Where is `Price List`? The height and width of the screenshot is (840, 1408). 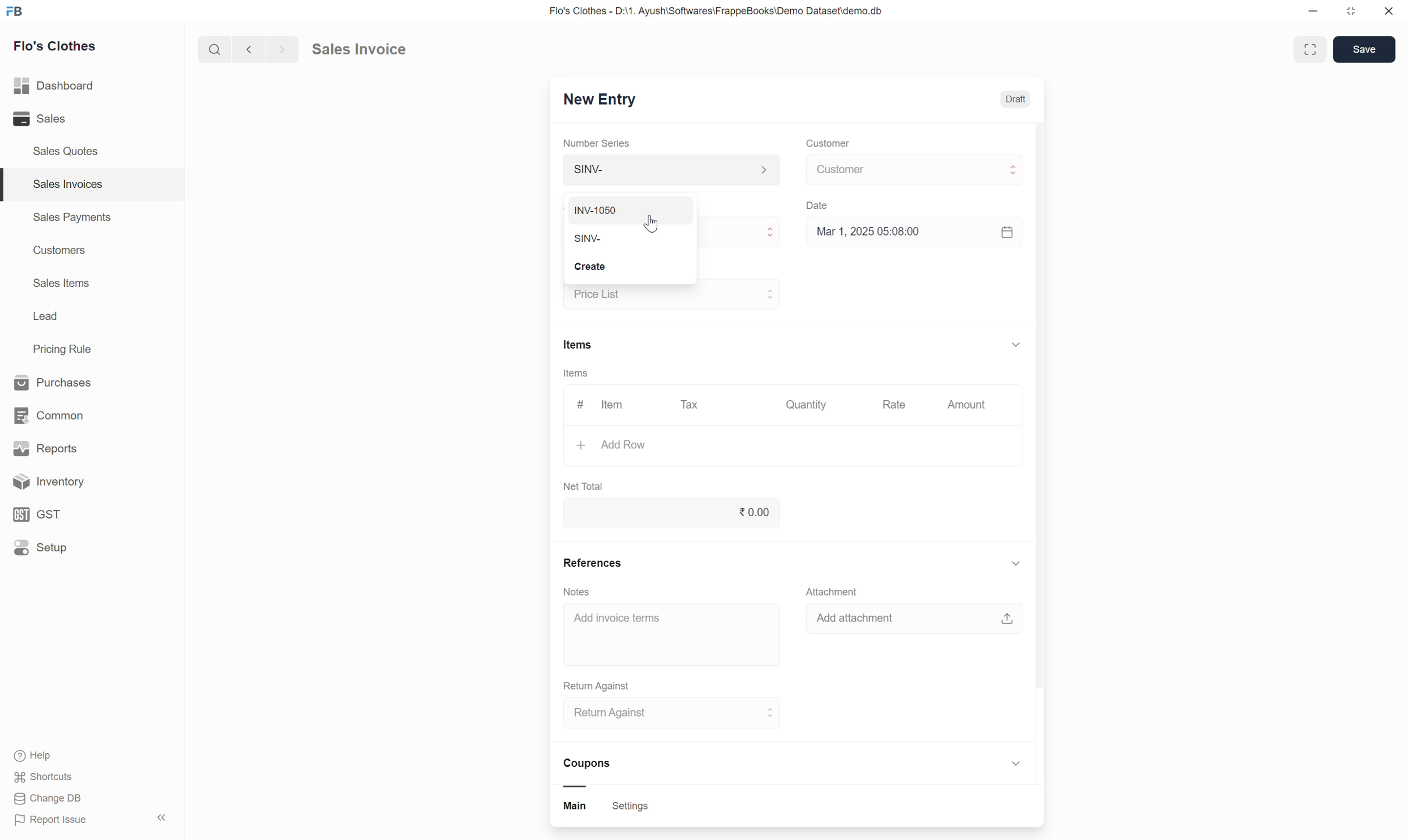 Price List is located at coordinates (582, 268).